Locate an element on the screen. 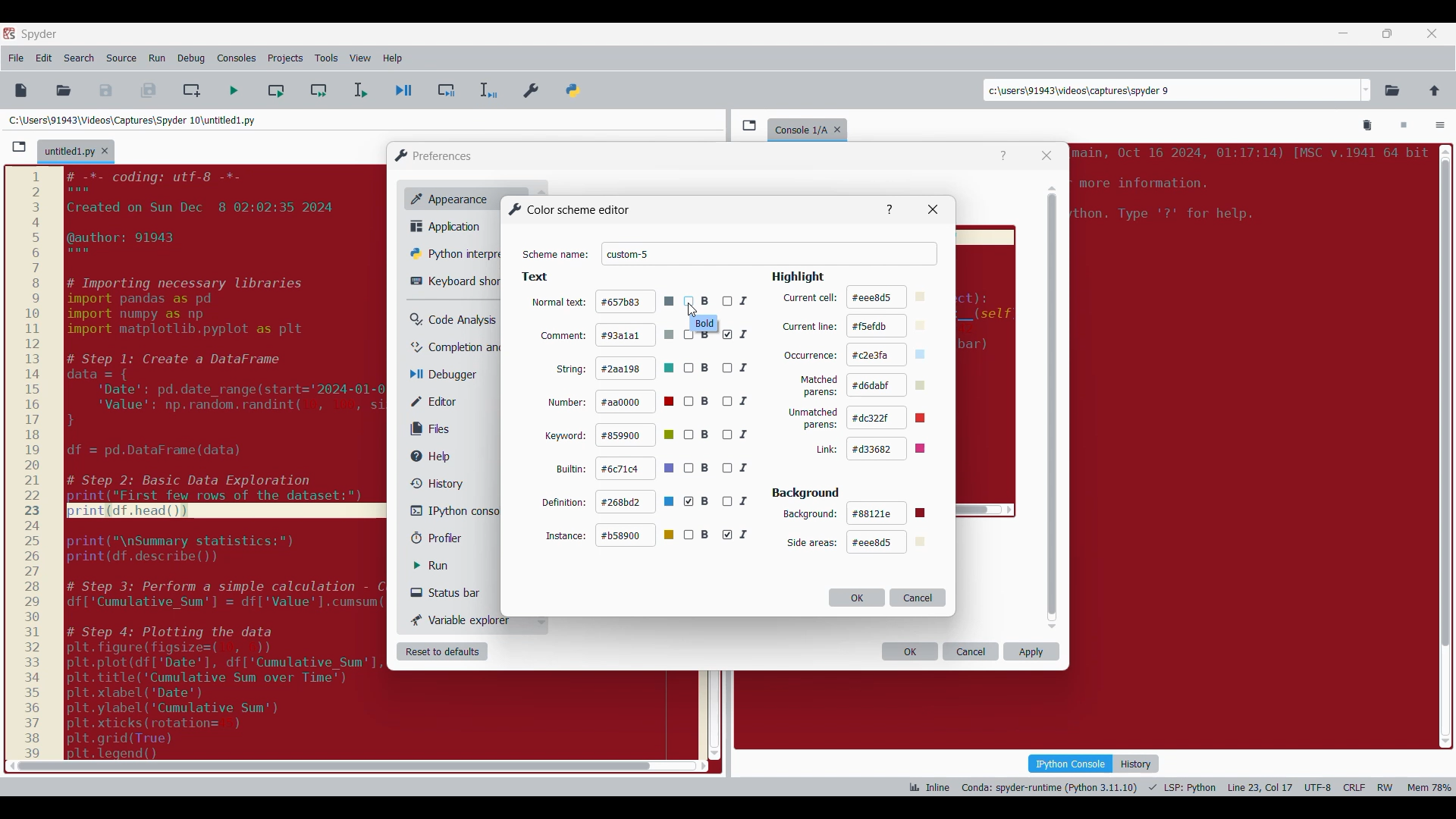 This screenshot has height=819, width=1456. code is located at coordinates (227, 461).